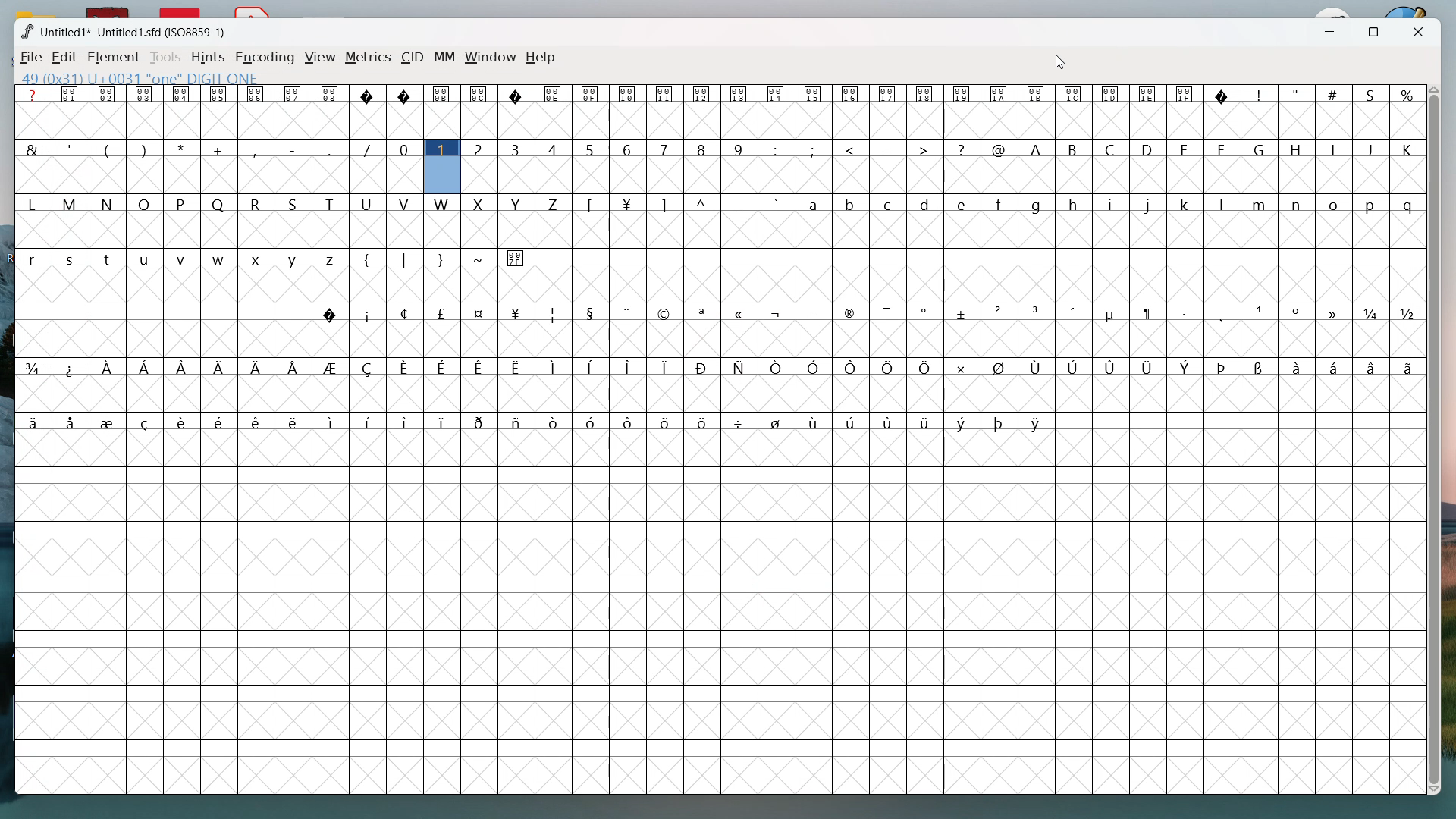 The image size is (1456, 819). I want to click on z, so click(334, 257).